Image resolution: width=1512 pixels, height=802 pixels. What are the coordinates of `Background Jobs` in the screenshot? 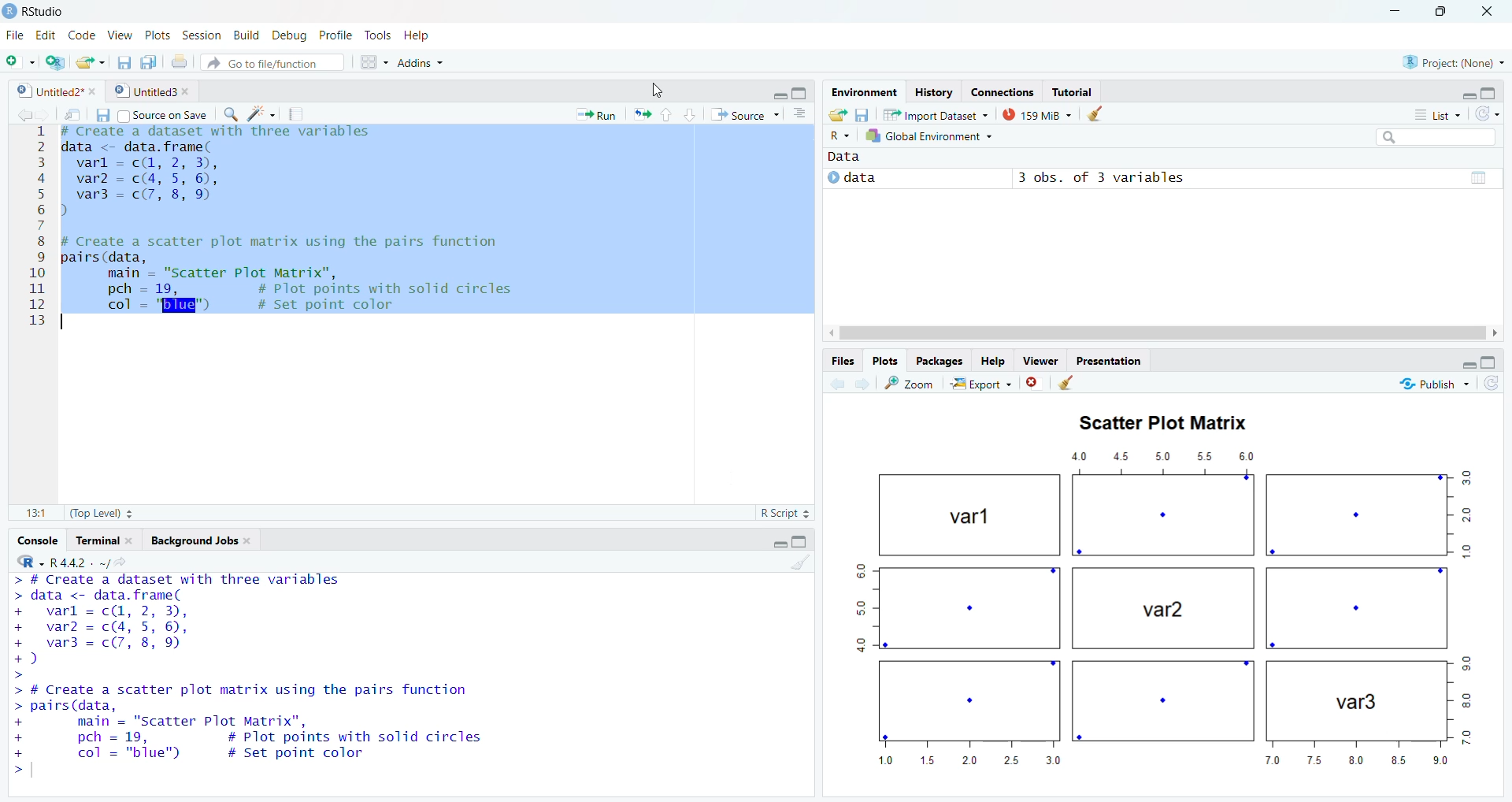 It's located at (209, 539).